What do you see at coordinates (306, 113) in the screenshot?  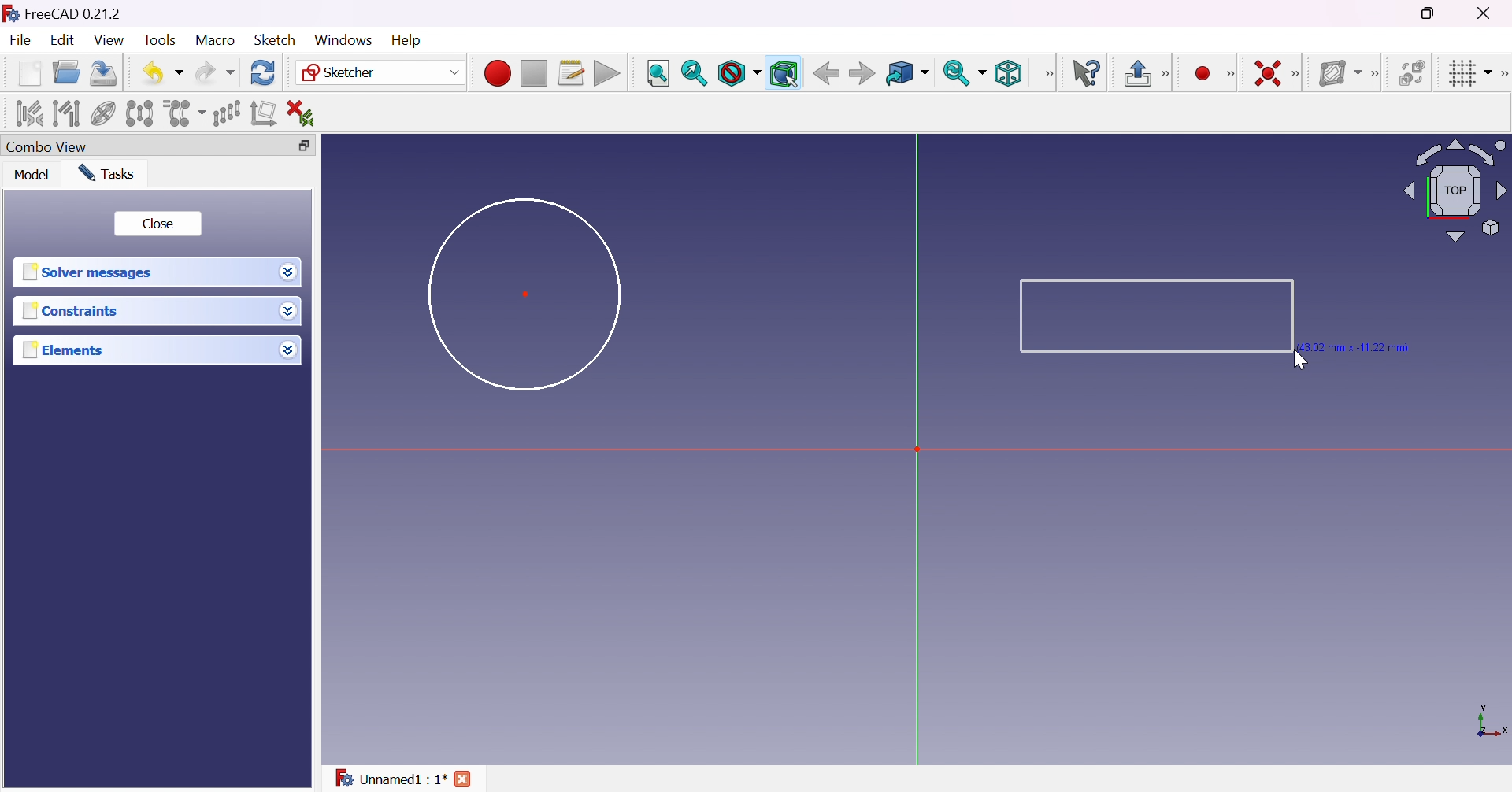 I see `Delete all constraints` at bounding box center [306, 113].